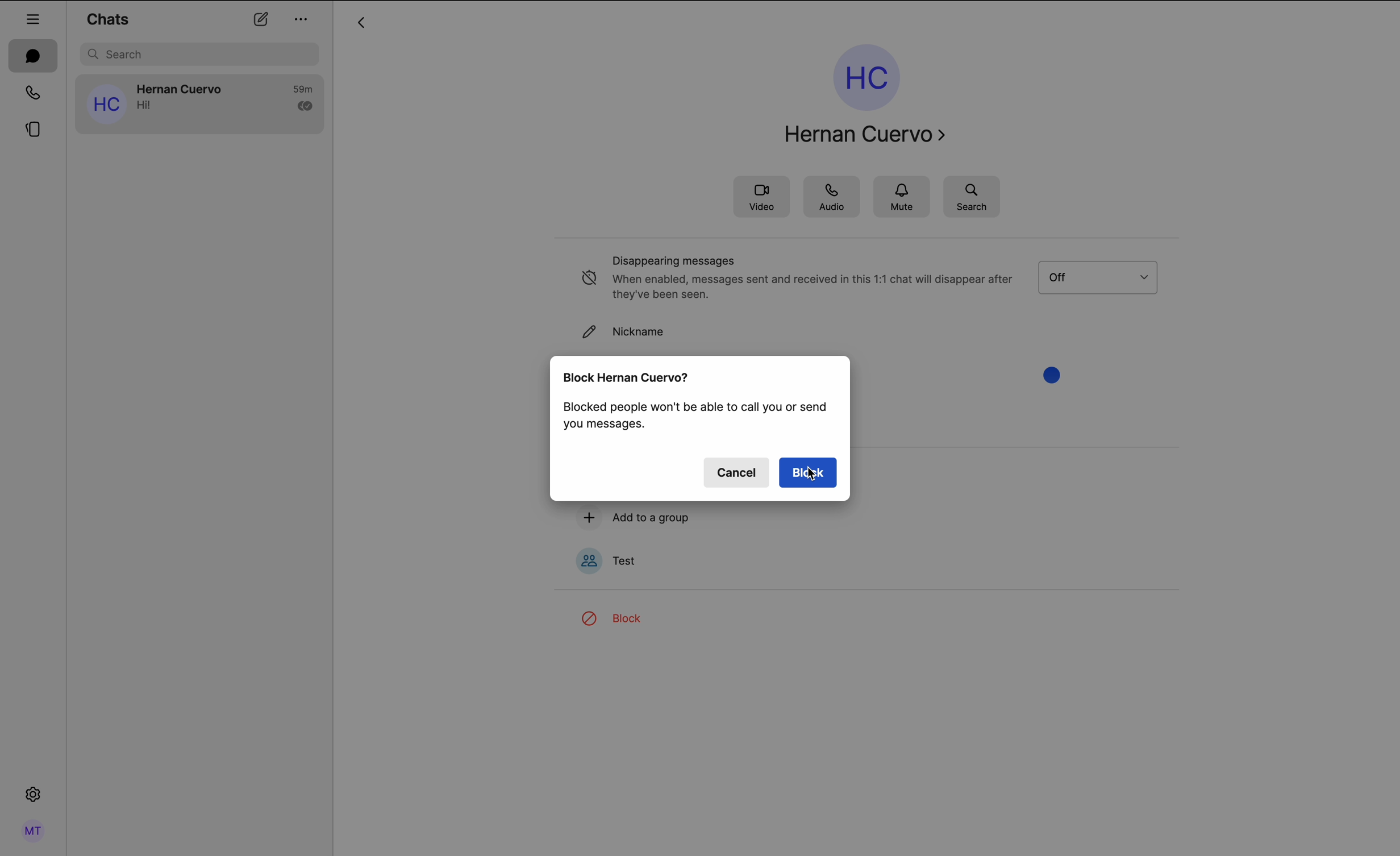 The height and width of the screenshot is (856, 1400). Describe the element at coordinates (834, 197) in the screenshot. I see `audio` at that location.